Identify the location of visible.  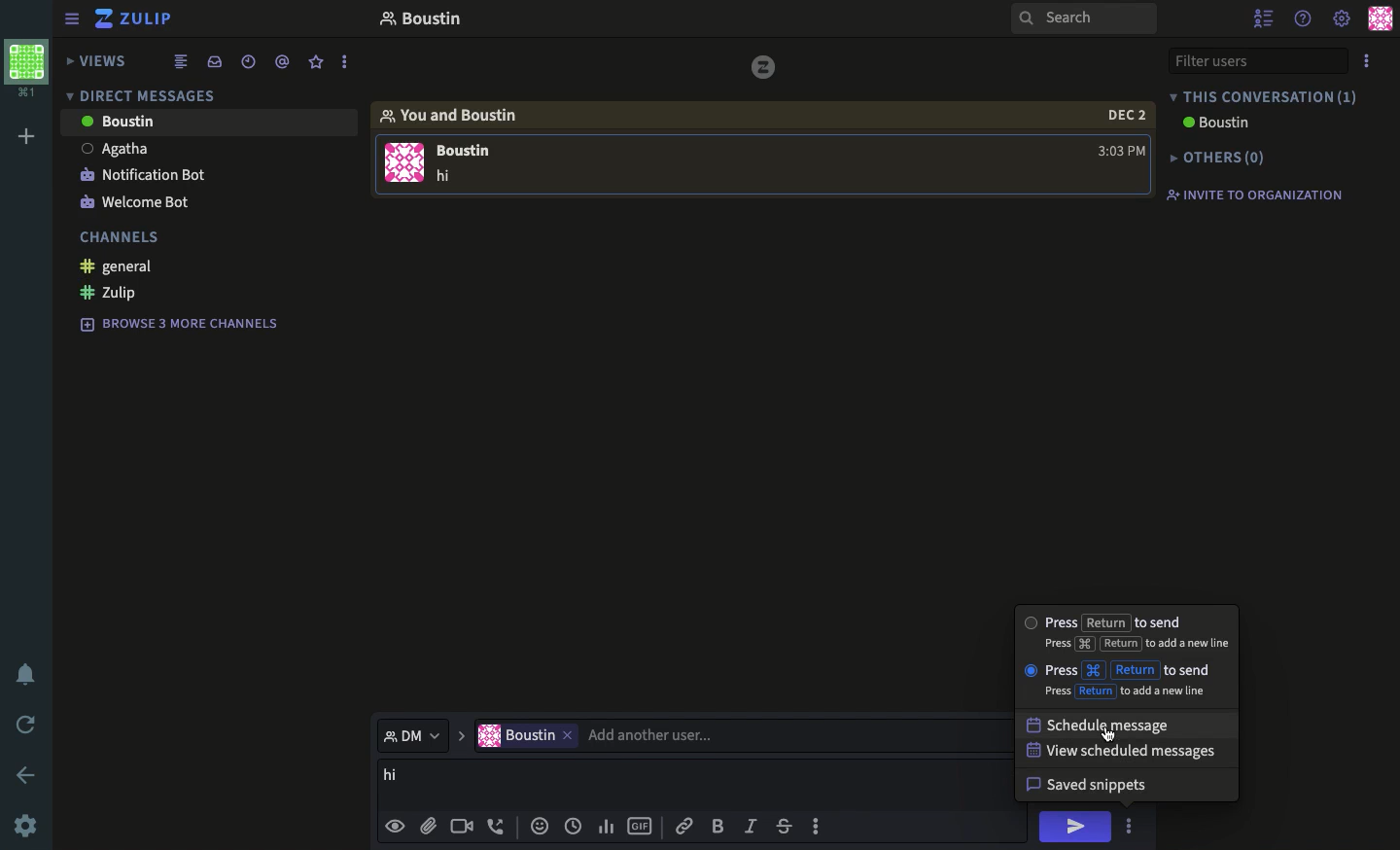
(398, 825).